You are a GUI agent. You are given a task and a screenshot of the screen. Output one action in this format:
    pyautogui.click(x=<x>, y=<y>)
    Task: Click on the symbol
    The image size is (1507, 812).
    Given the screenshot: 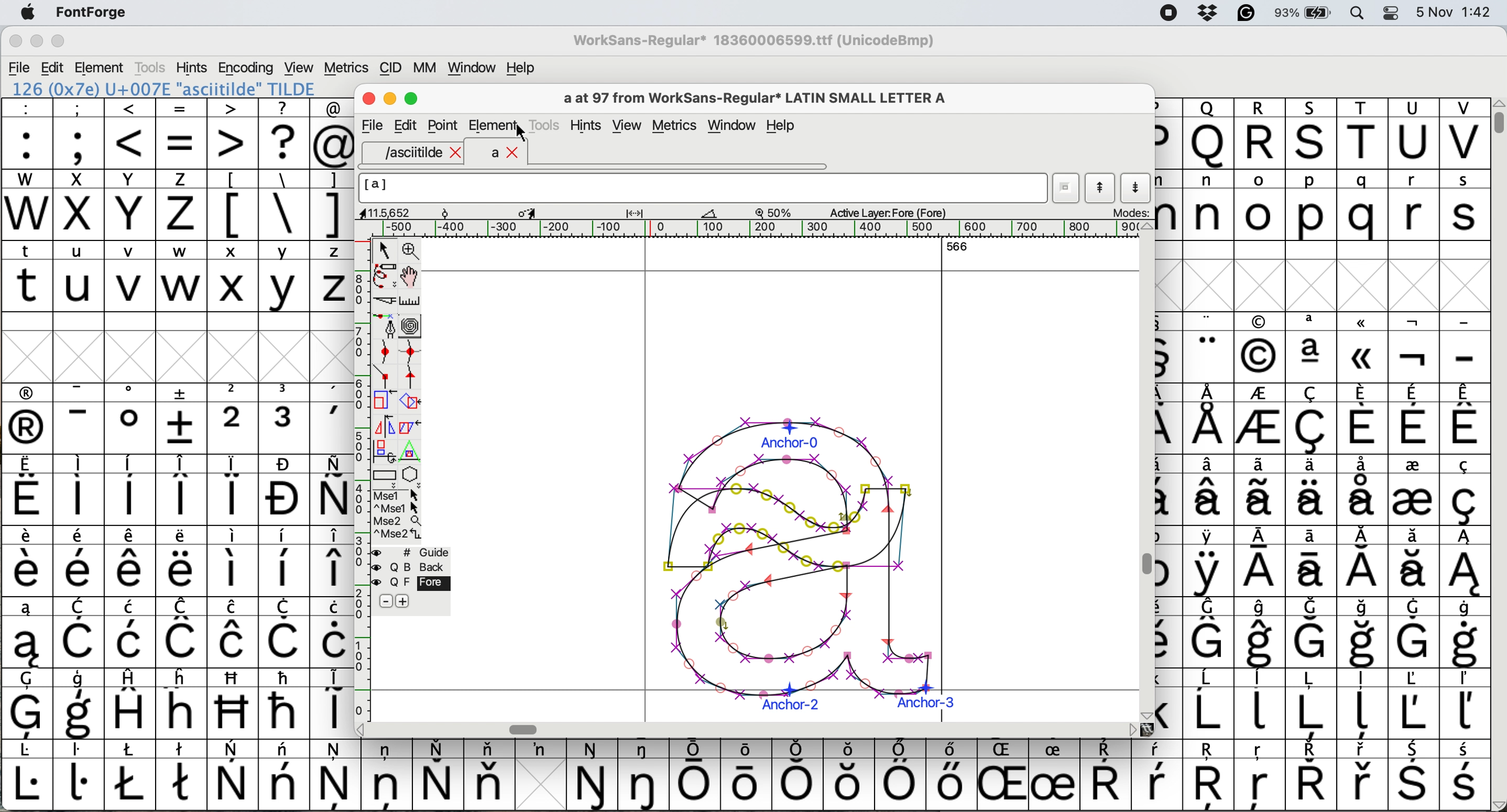 What is the action you would take?
    pyautogui.click(x=1210, y=704)
    